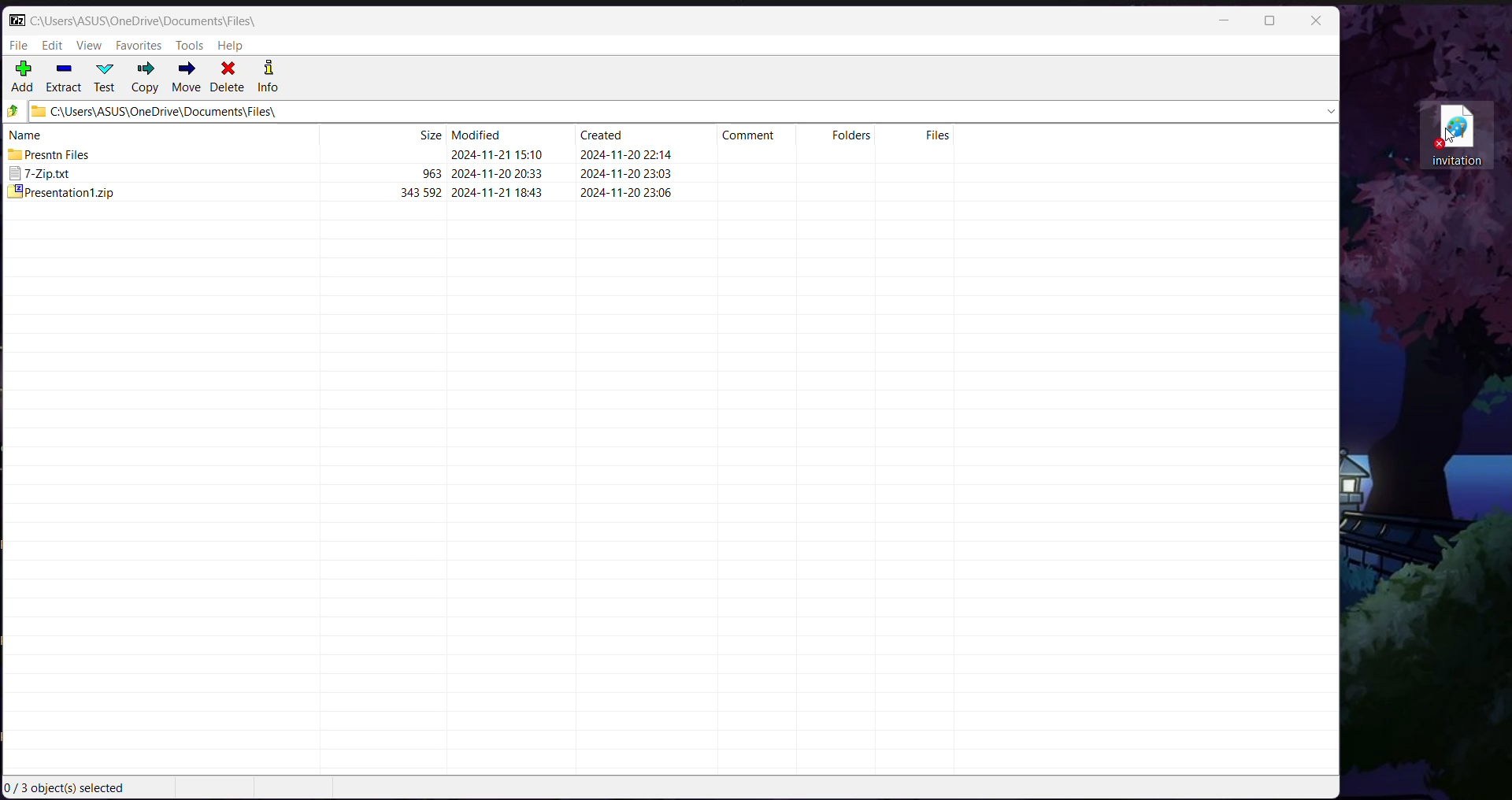  I want to click on Current Folder Path, so click(143, 20).